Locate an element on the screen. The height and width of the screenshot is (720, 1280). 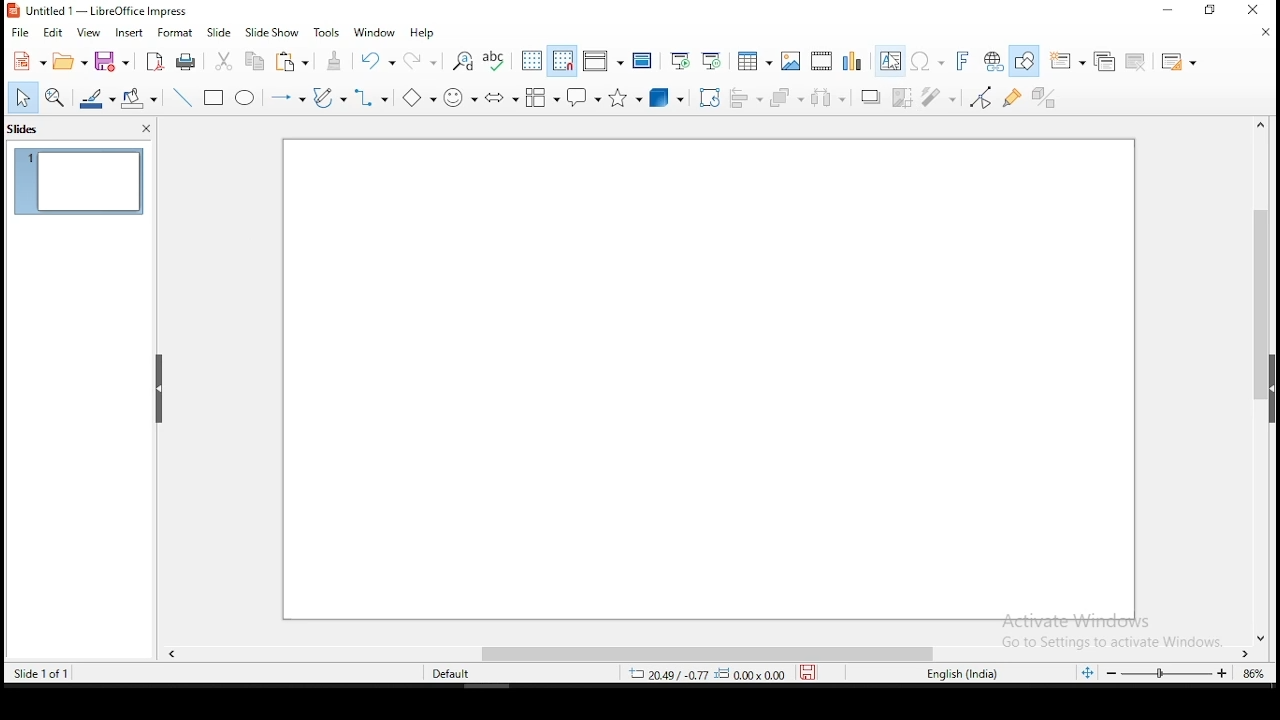
curves and polygons is located at coordinates (328, 101).